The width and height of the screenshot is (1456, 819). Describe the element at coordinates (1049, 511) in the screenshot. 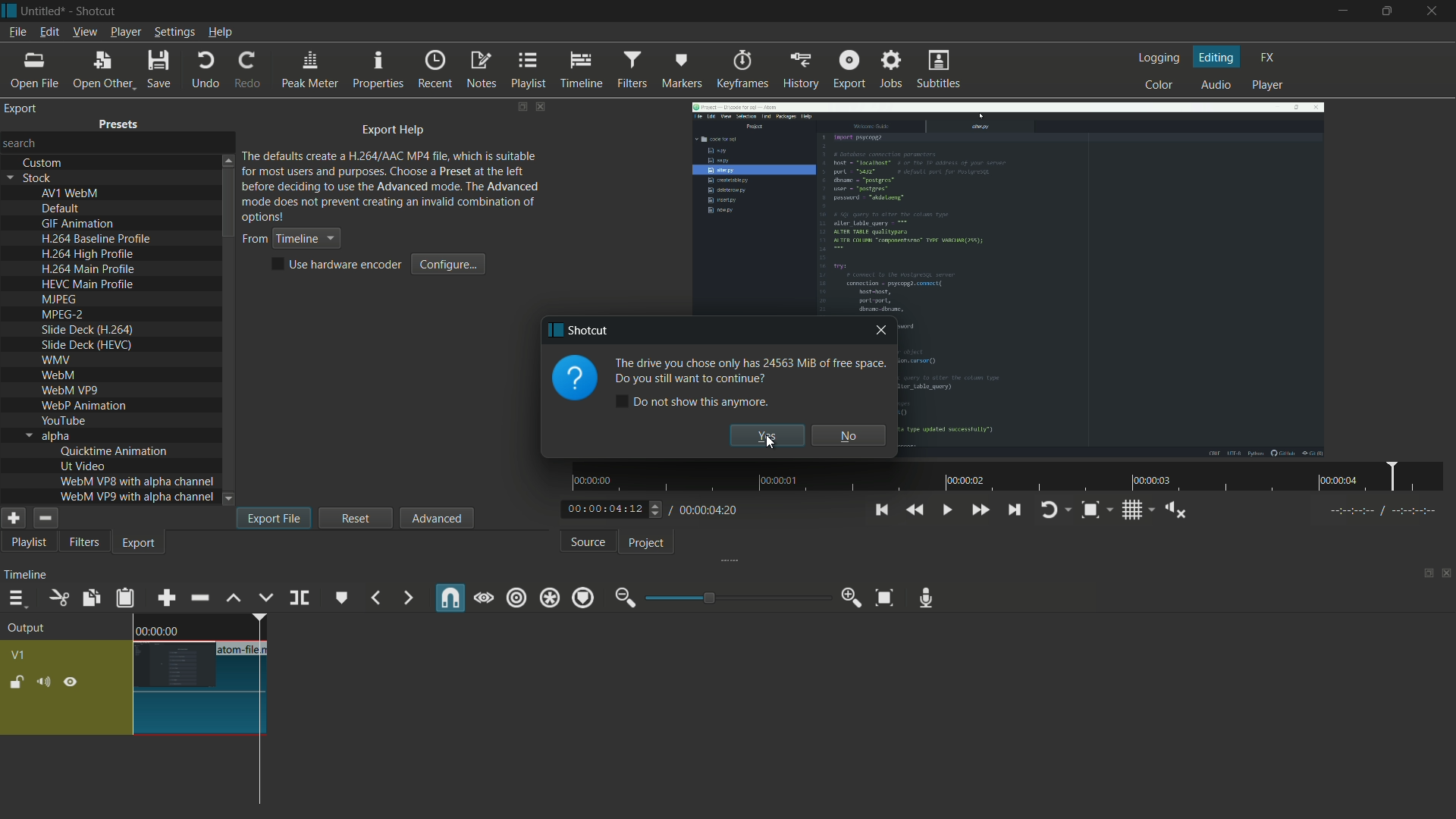

I see `toggle player looping` at that location.